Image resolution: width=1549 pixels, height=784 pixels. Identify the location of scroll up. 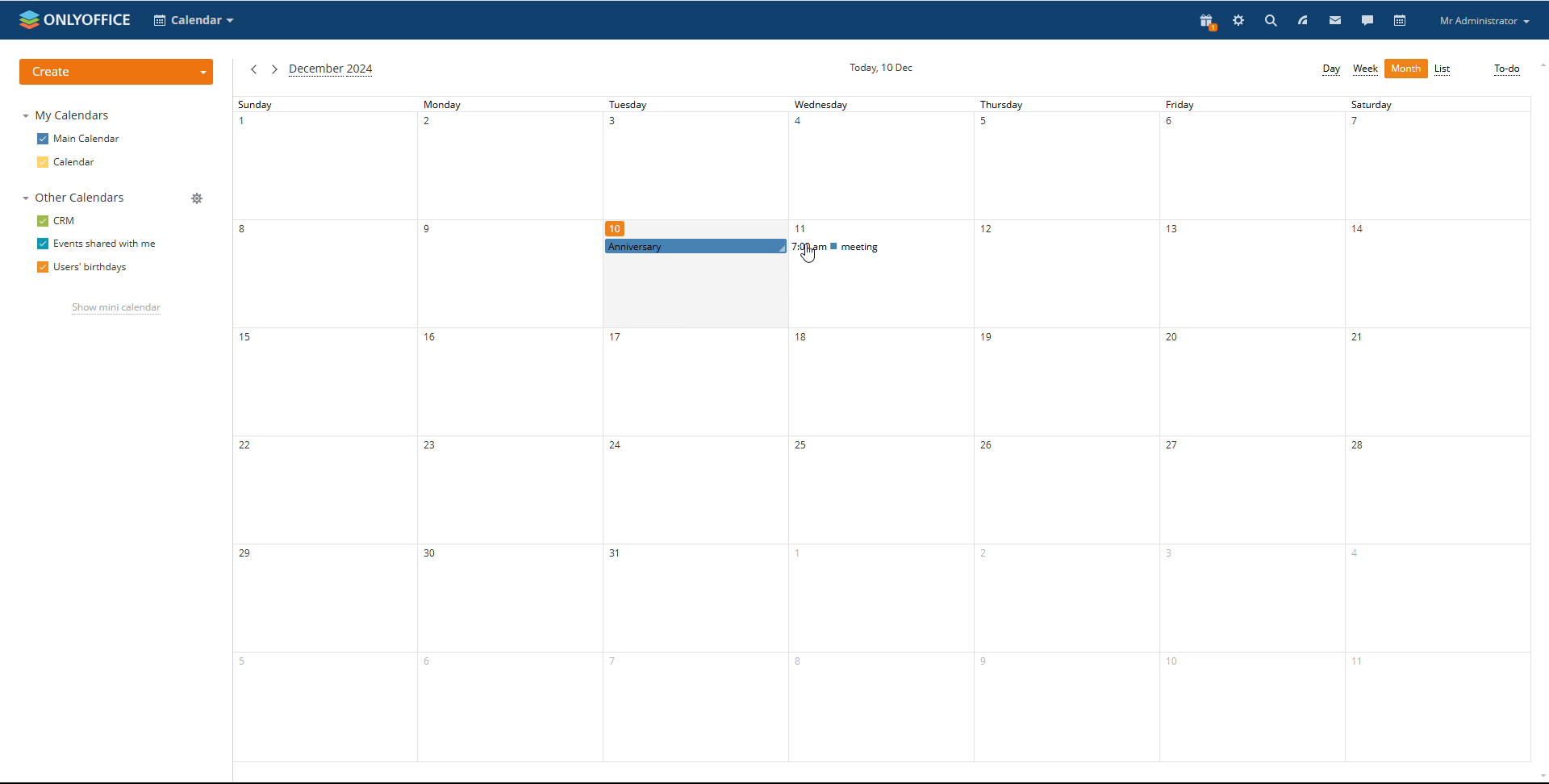
(1539, 65).